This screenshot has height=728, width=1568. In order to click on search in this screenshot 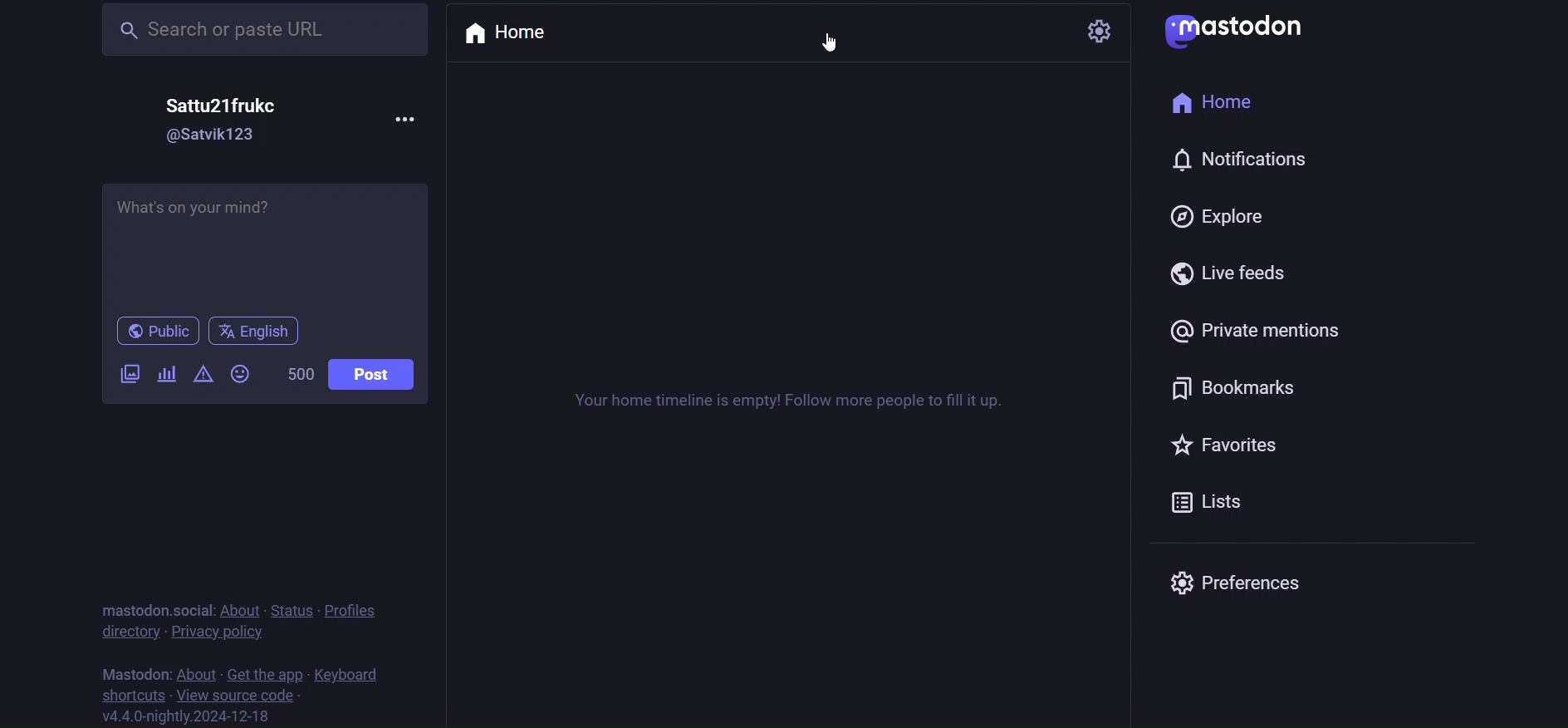, I will do `click(267, 32)`.